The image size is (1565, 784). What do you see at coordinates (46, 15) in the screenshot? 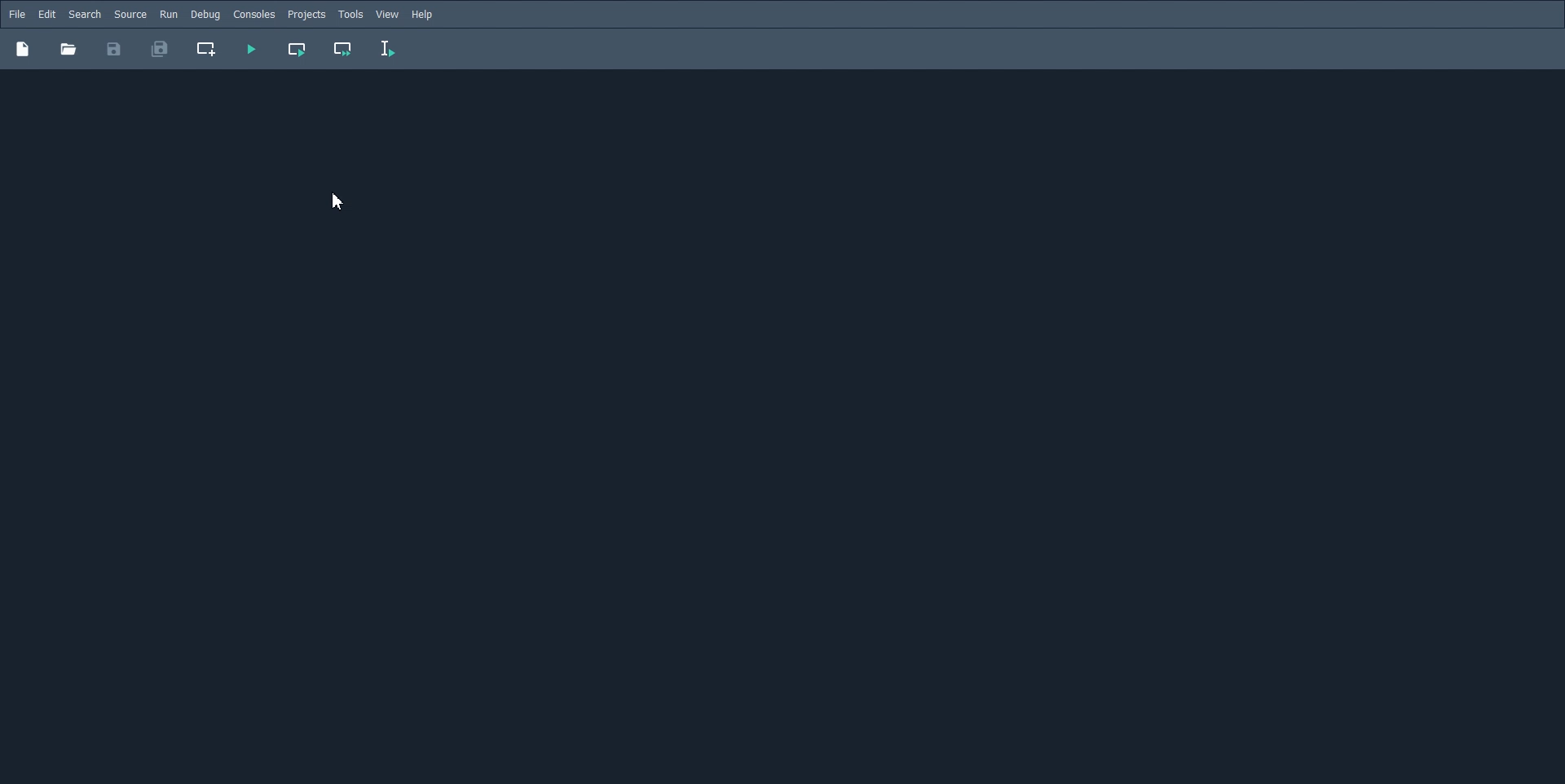
I see `Edit` at bounding box center [46, 15].